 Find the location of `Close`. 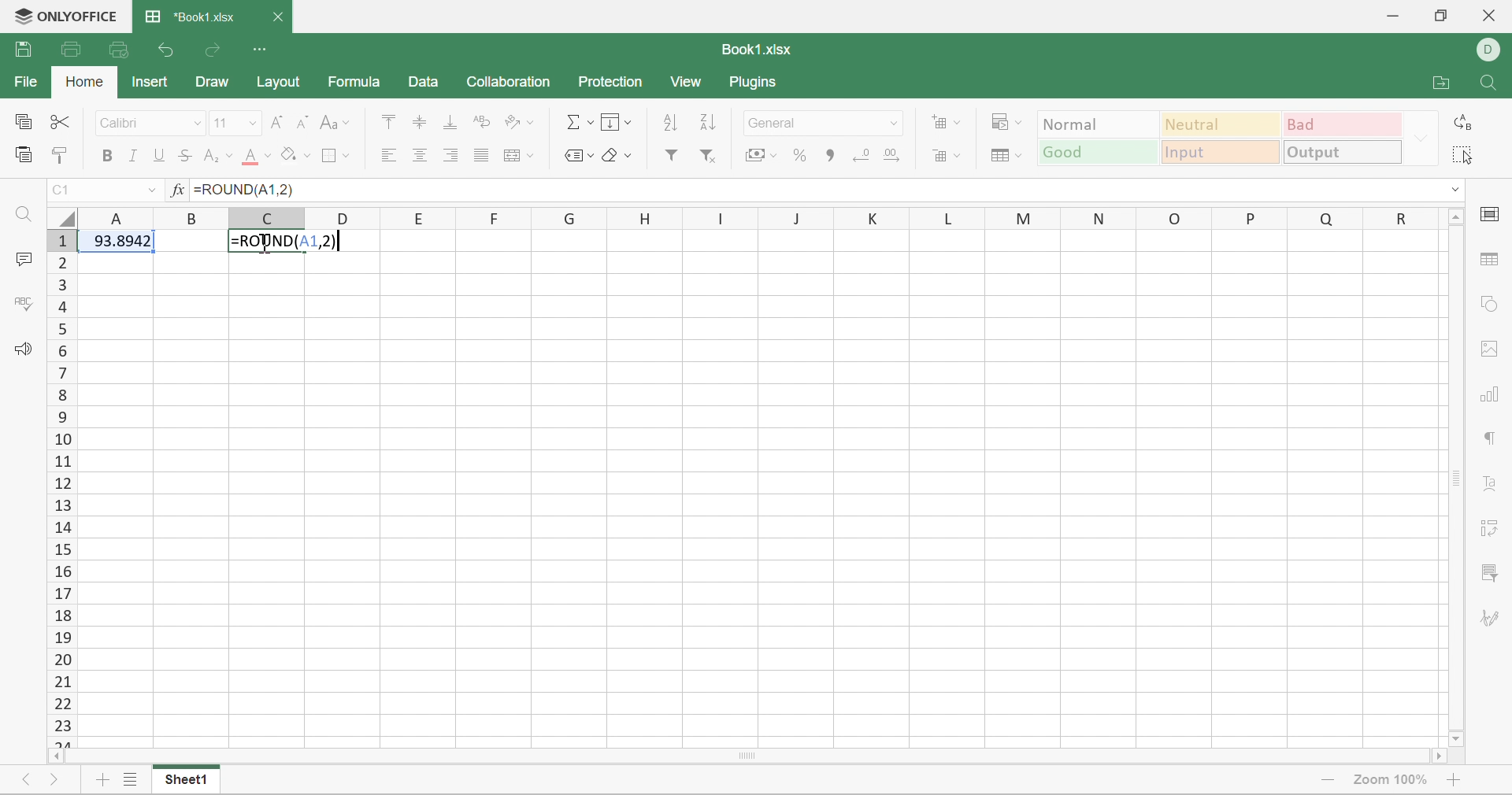

Close is located at coordinates (1489, 14).